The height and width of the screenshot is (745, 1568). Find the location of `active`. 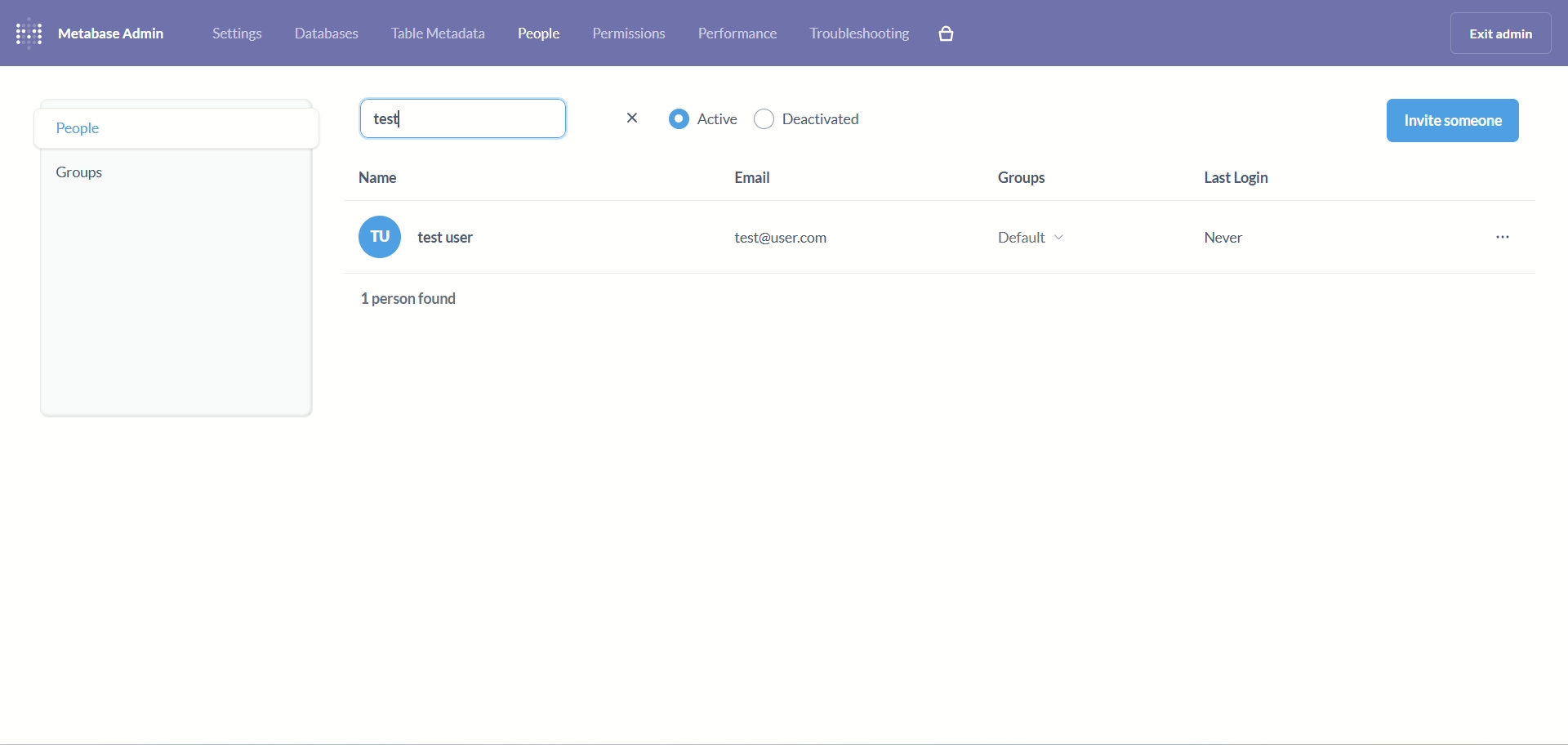

active is located at coordinates (704, 118).